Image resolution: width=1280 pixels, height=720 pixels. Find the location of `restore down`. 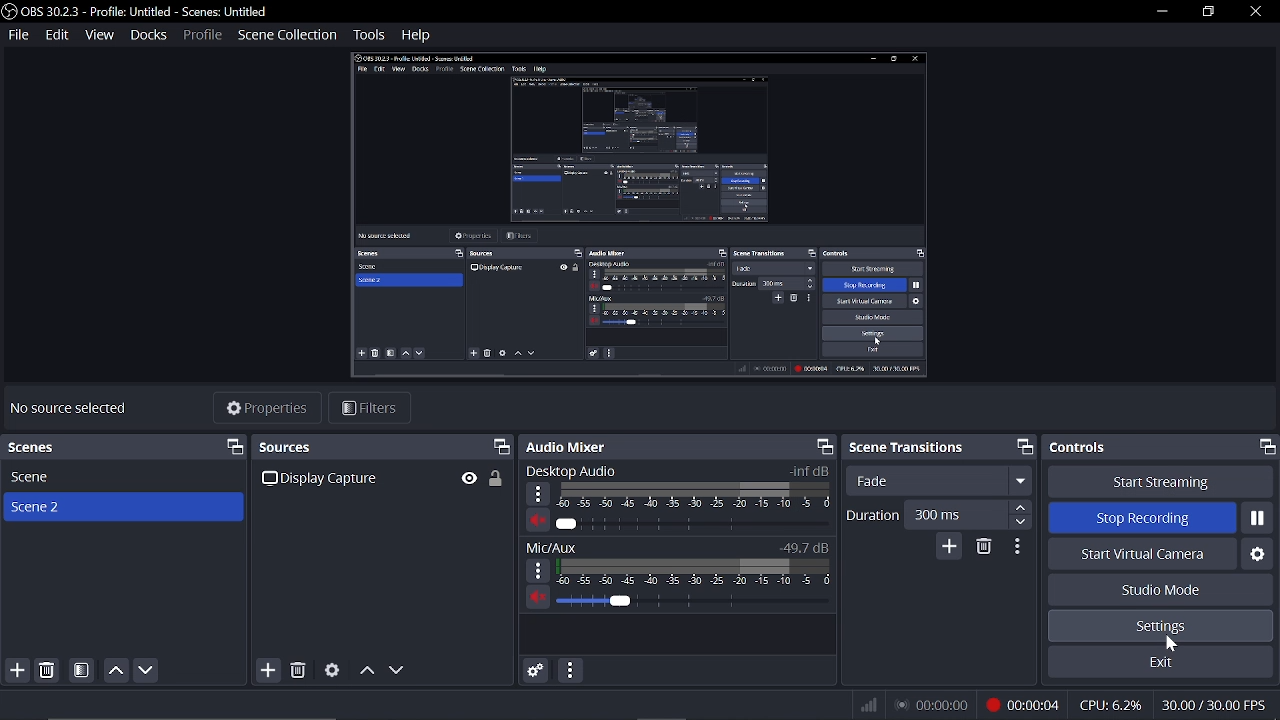

restore down is located at coordinates (1204, 11).